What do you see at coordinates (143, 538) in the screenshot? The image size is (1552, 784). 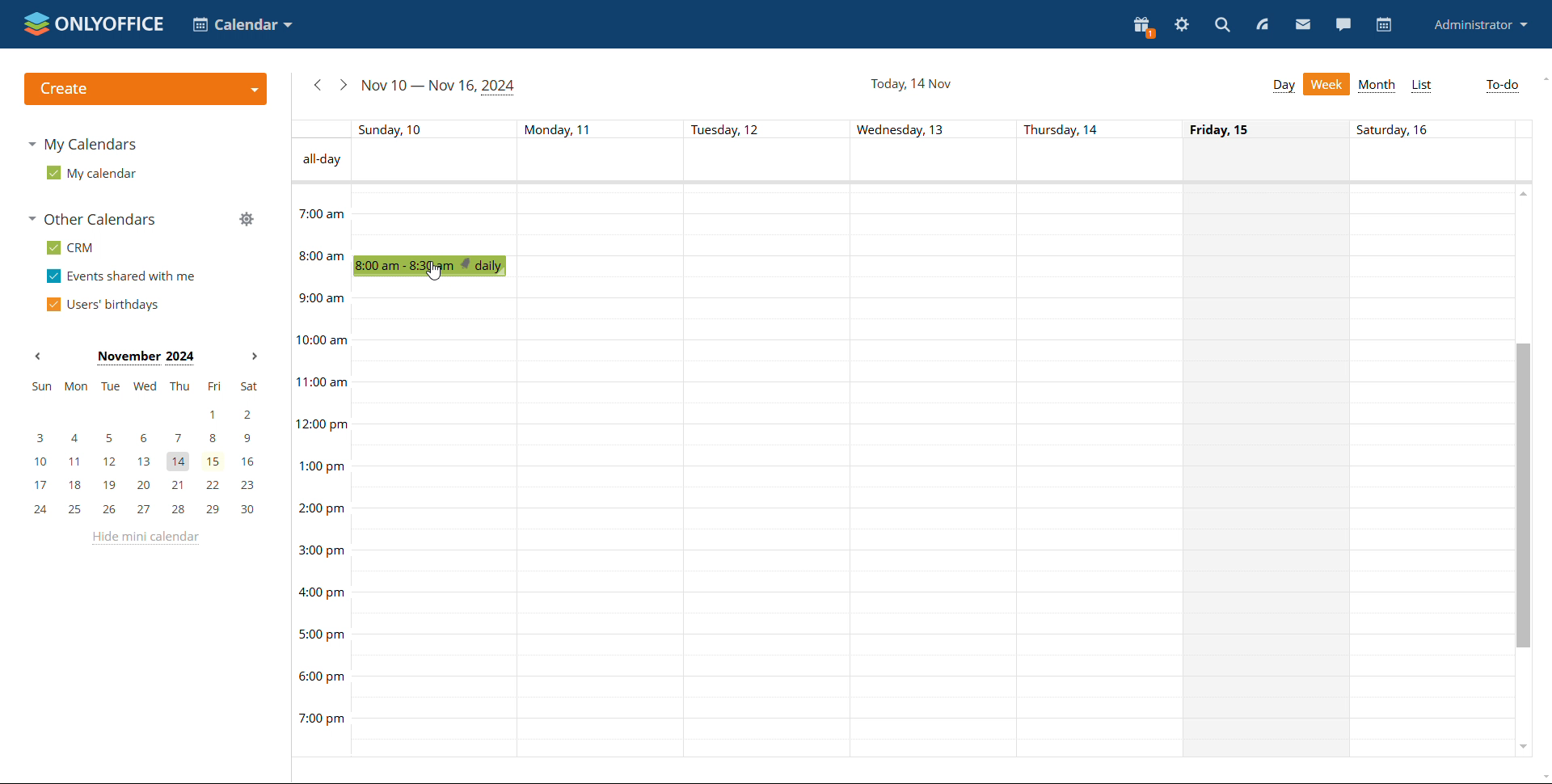 I see `hide mini calendar` at bounding box center [143, 538].